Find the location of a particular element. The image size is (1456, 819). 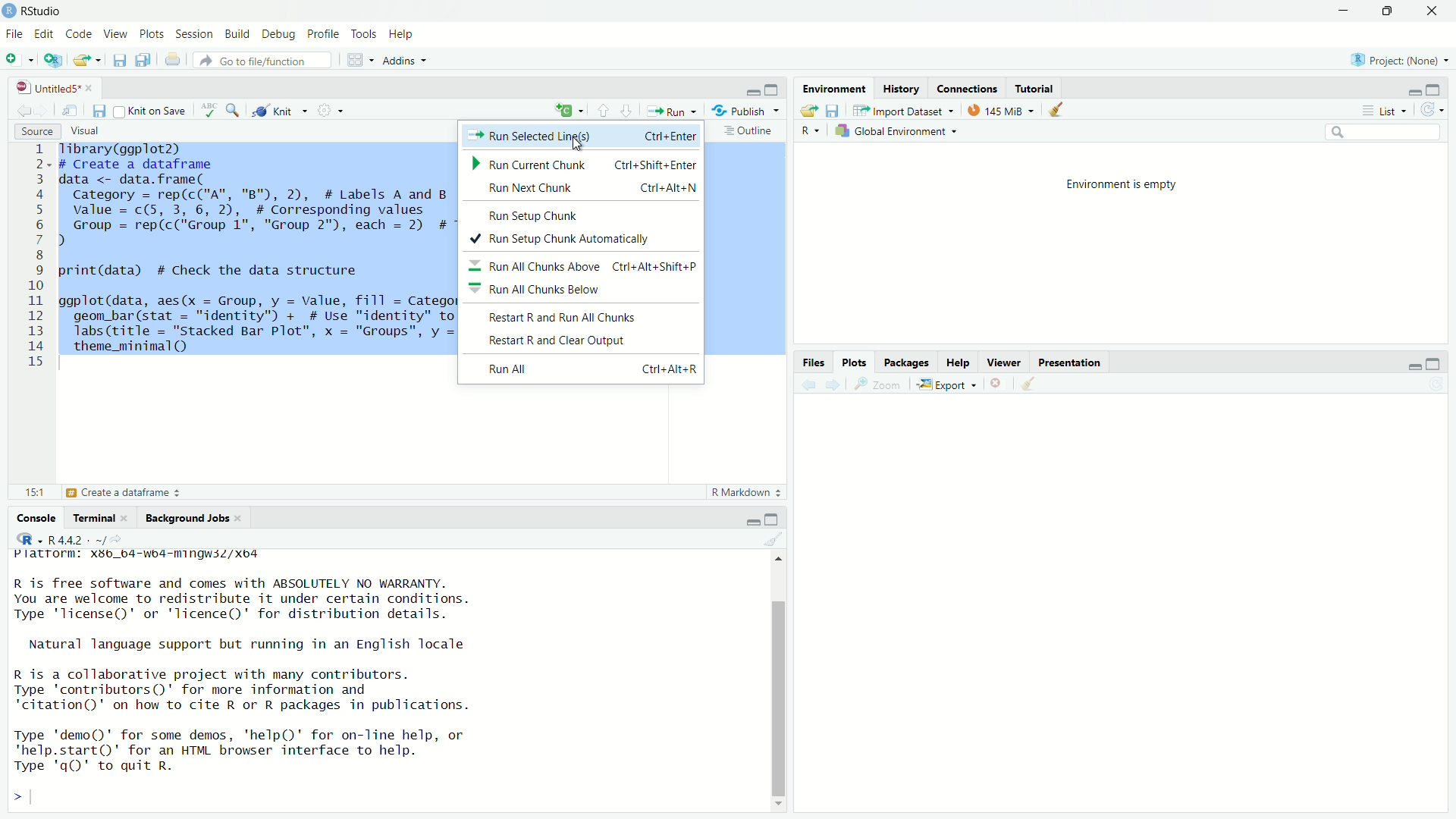

Edit is located at coordinates (47, 33).